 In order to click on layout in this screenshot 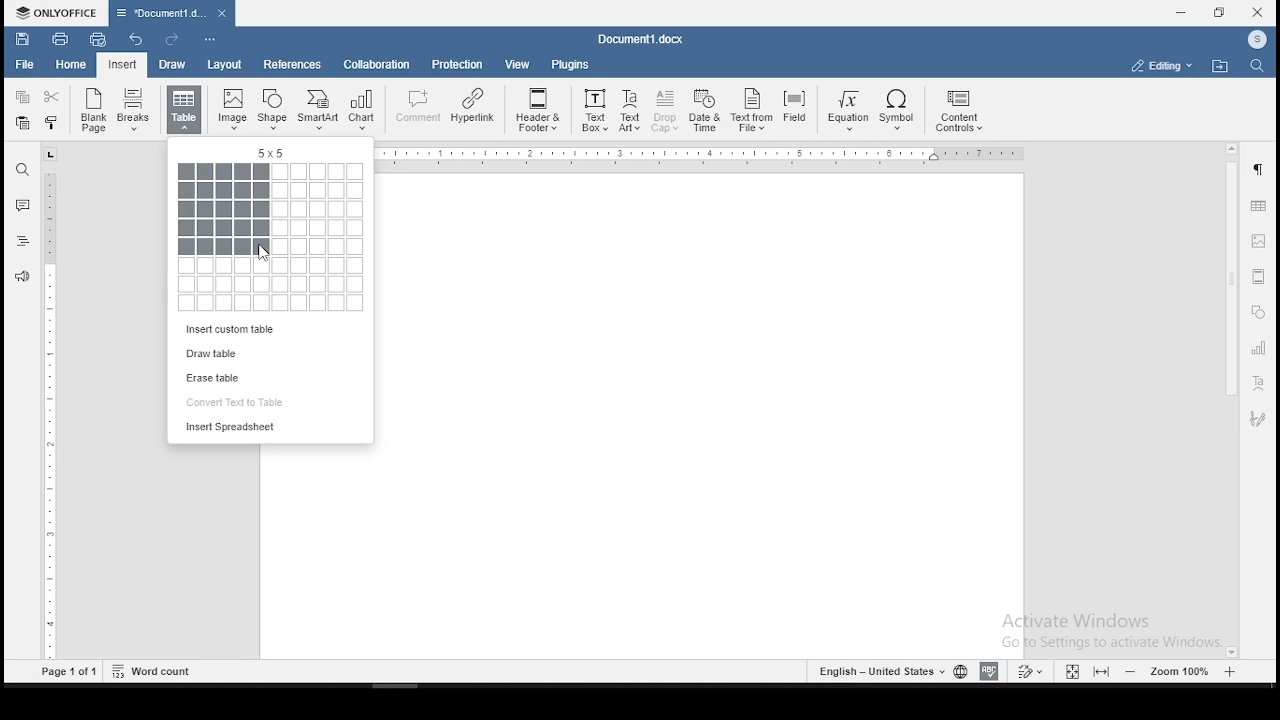, I will do `click(223, 65)`.